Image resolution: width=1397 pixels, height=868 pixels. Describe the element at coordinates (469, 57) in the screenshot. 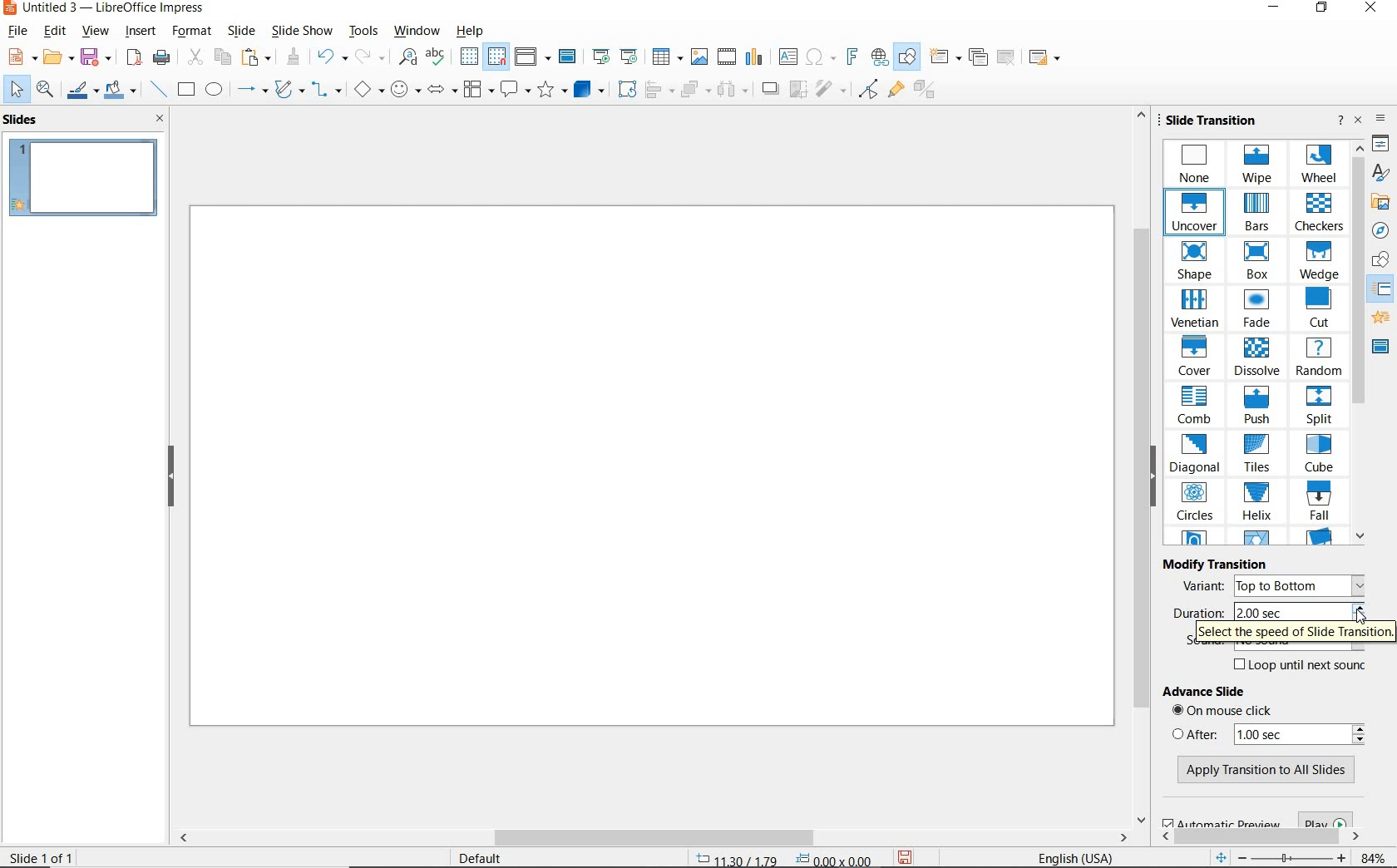

I see `DISPLAY GRID` at that location.